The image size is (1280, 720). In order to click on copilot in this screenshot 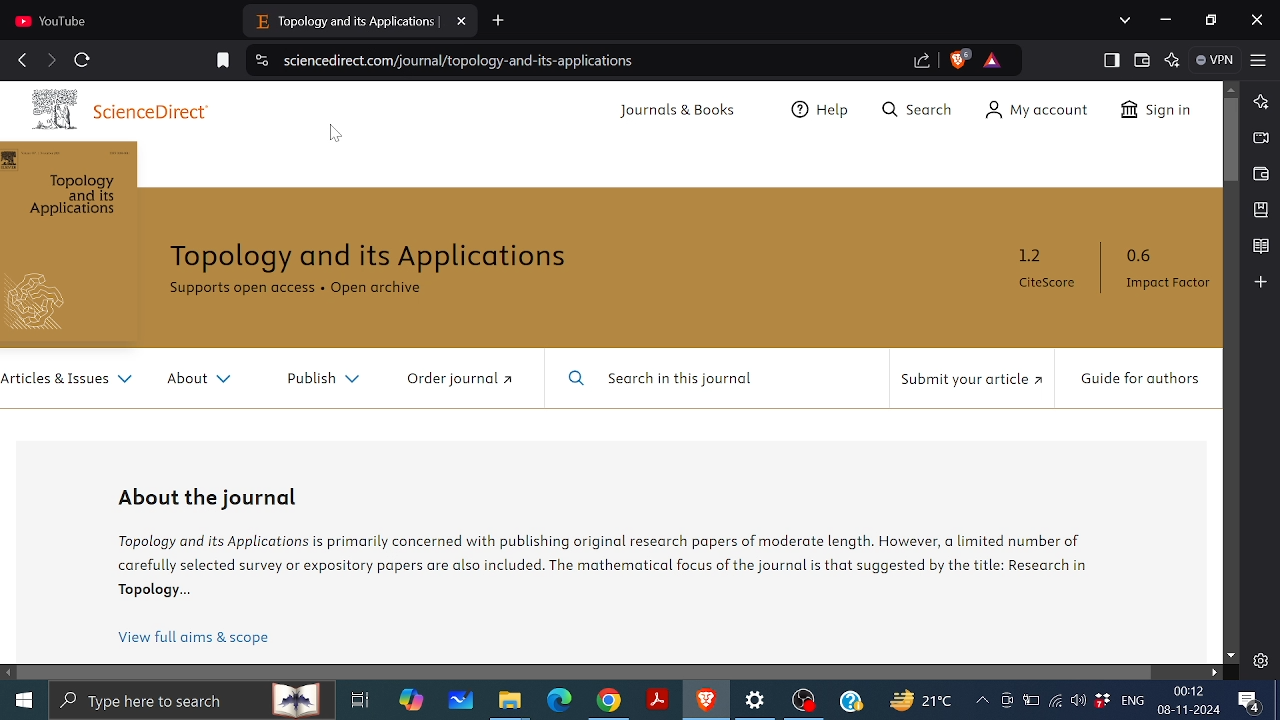, I will do `click(412, 700)`.